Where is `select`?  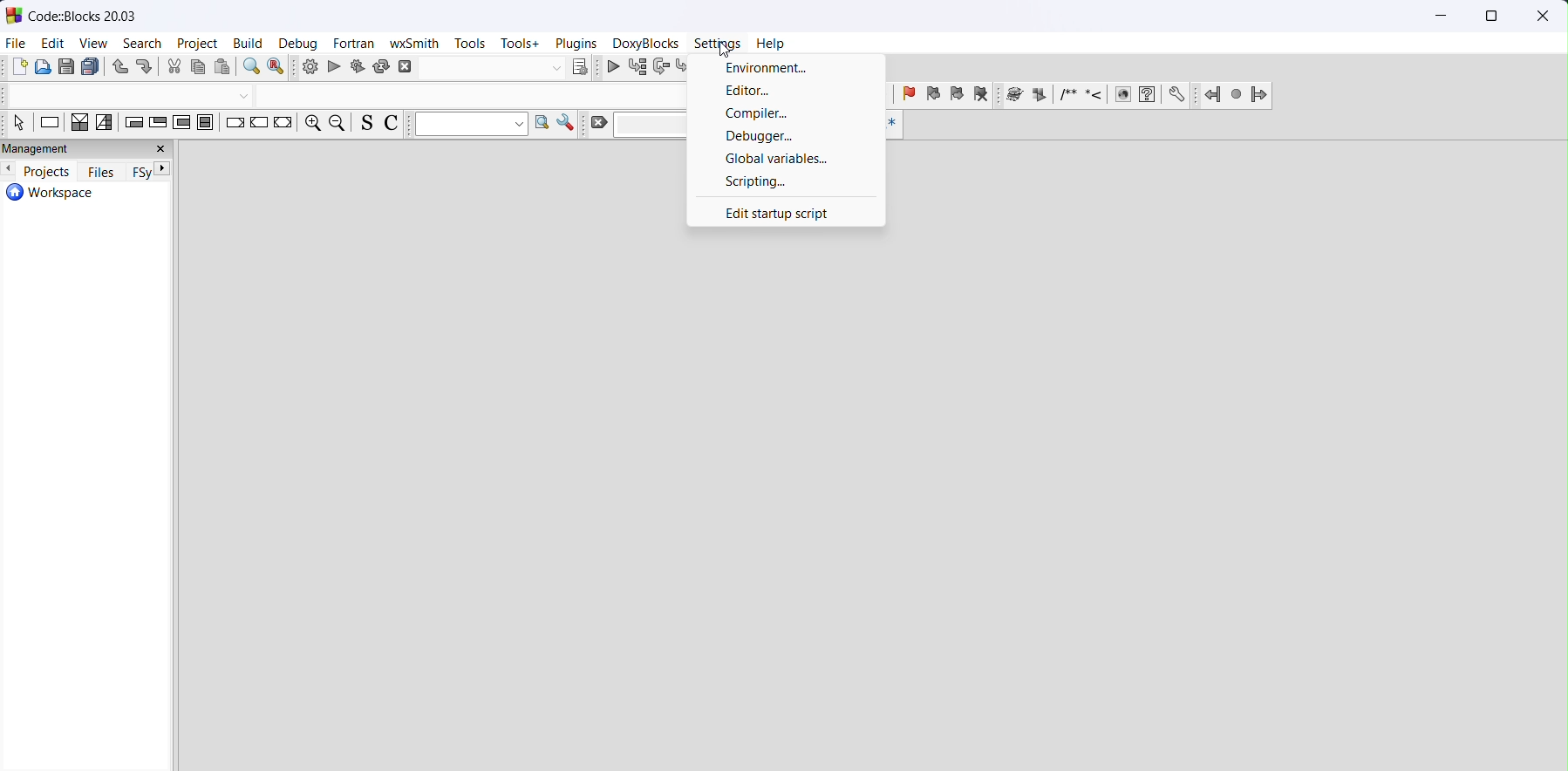
select is located at coordinates (20, 124).